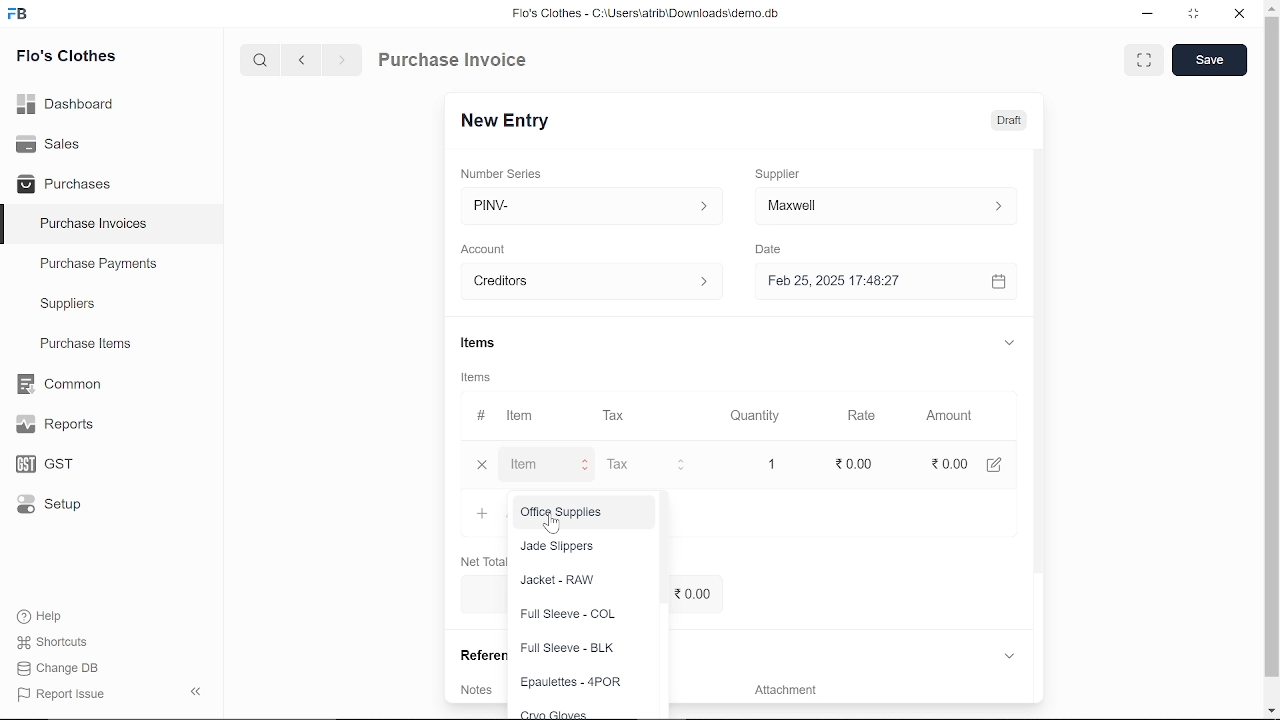 This screenshot has height=720, width=1280. I want to click on Shortcuts, so click(49, 643).